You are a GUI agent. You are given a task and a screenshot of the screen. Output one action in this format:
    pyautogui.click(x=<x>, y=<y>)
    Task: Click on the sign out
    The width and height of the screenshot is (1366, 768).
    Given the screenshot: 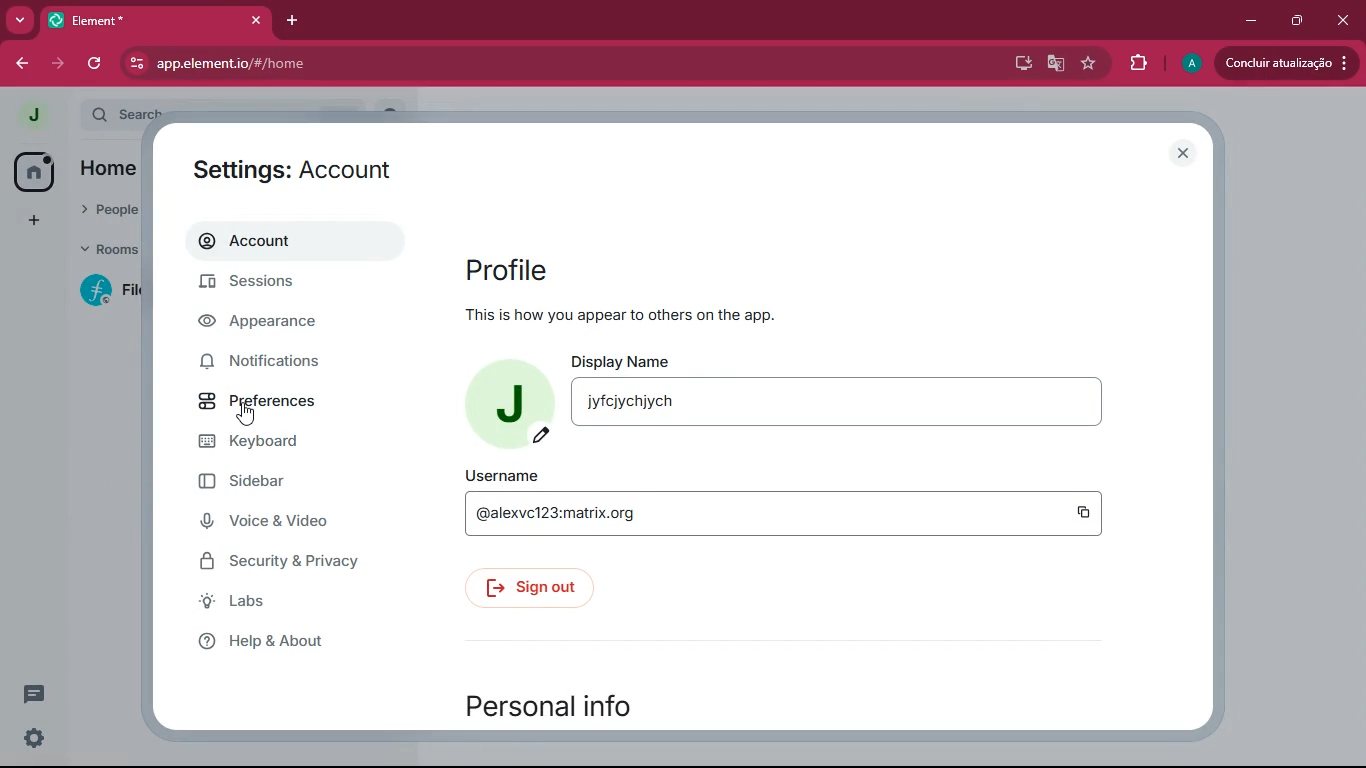 What is the action you would take?
    pyautogui.click(x=527, y=588)
    